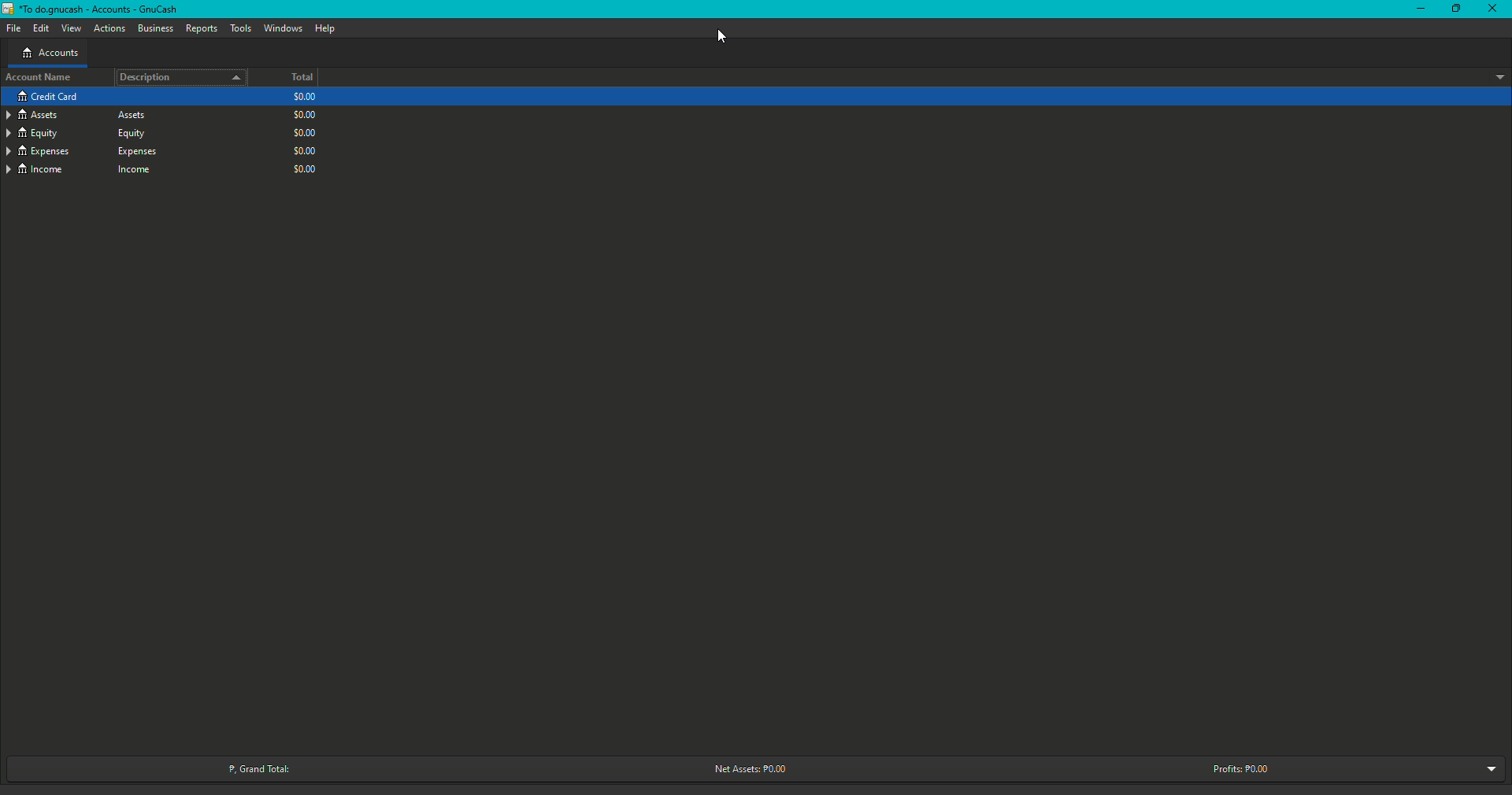  I want to click on View, so click(69, 29).